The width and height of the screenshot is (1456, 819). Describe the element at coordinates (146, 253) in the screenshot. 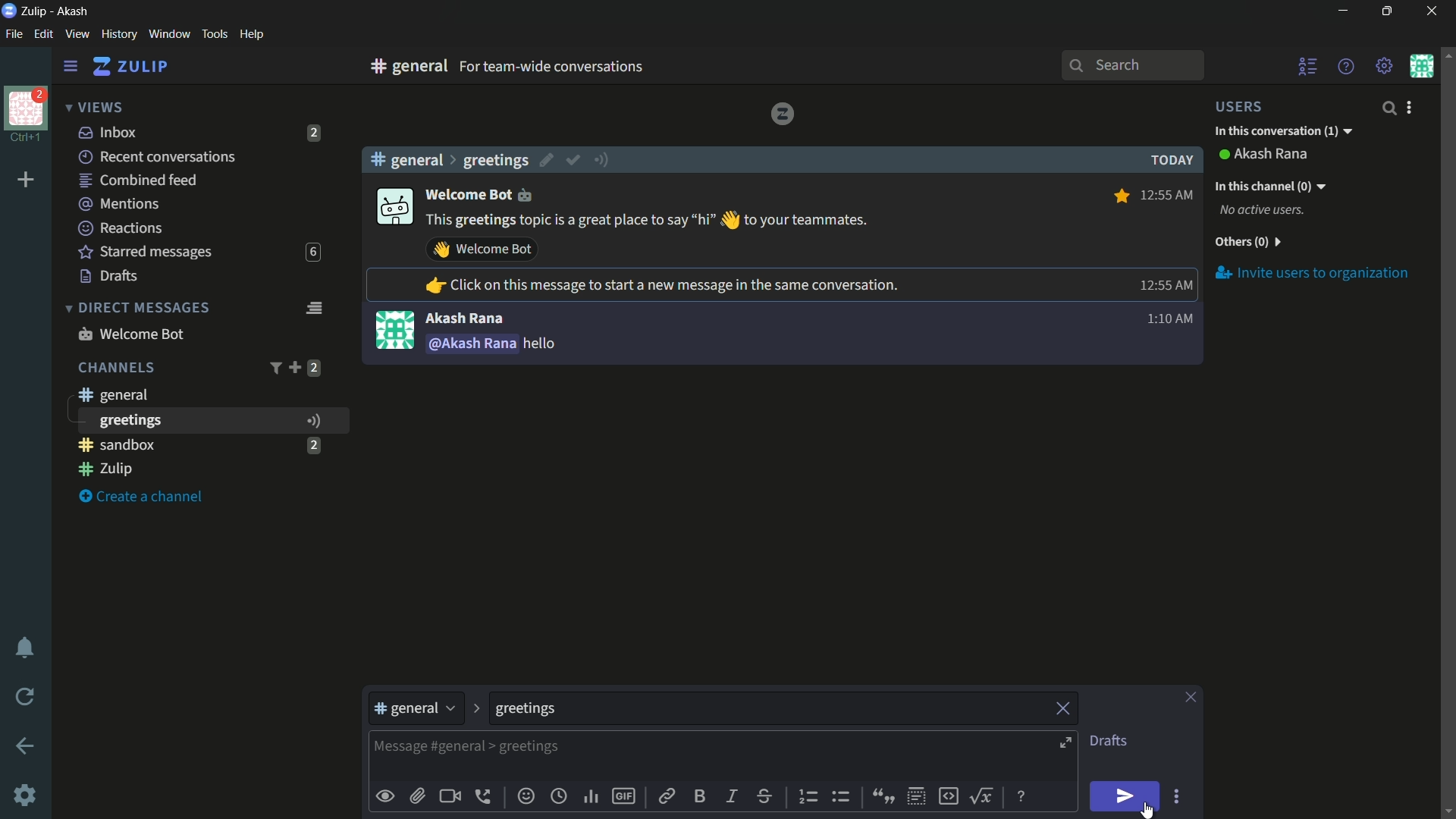

I see `starred messages` at that location.